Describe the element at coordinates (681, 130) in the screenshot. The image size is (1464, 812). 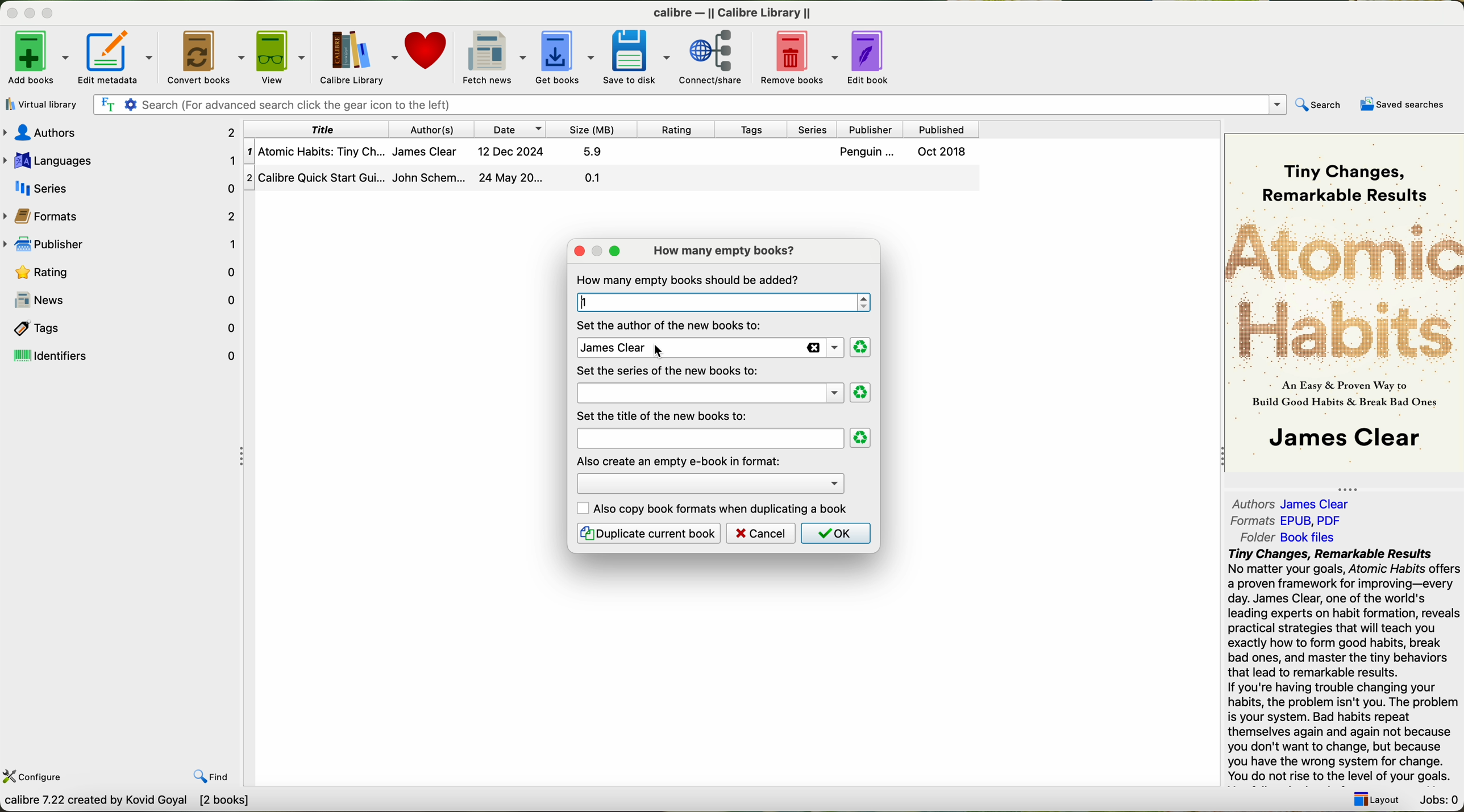
I see `rating` at that location.